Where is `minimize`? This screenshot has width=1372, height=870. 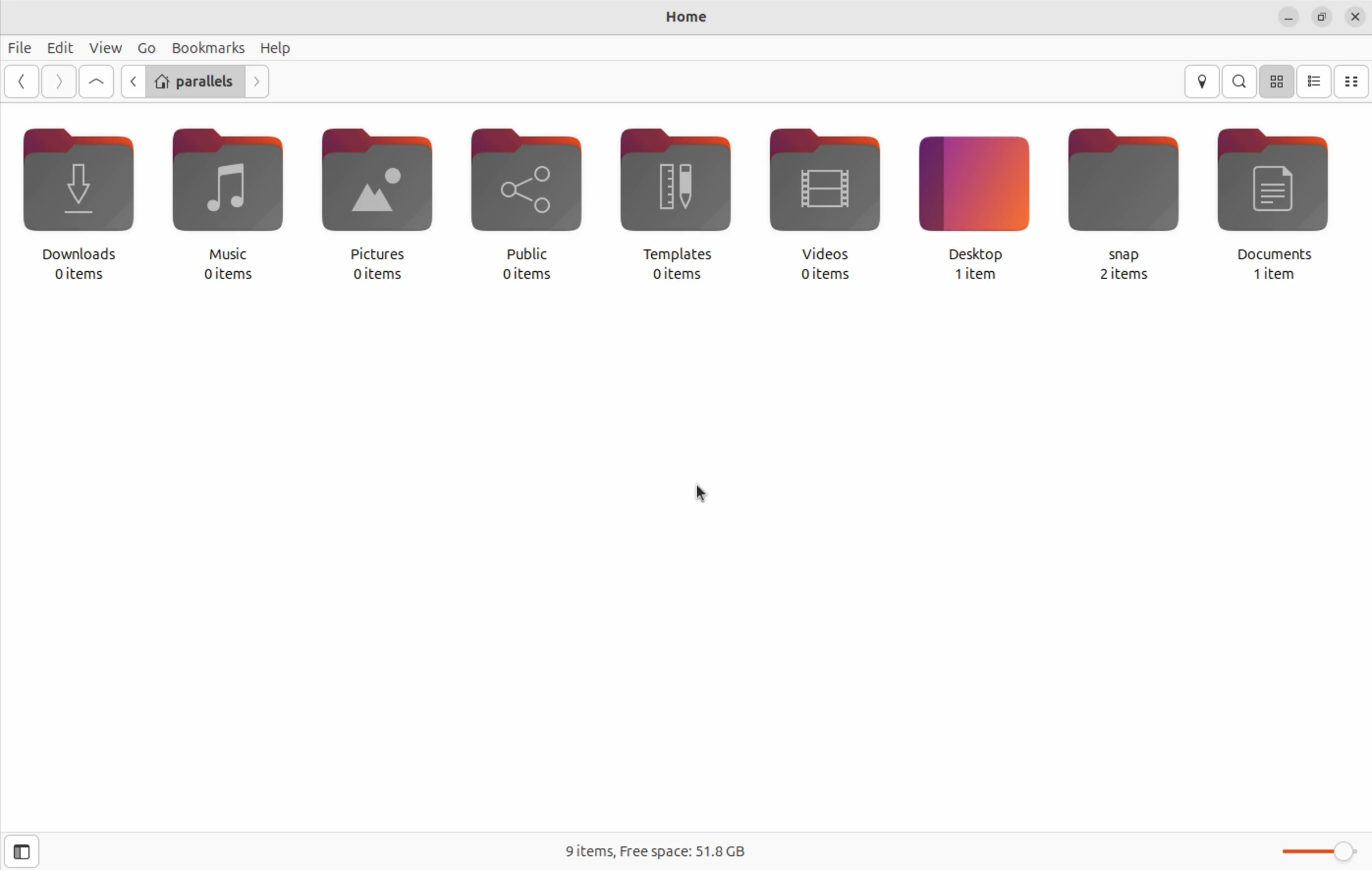
minimize is located at coordinates (1288, 16).